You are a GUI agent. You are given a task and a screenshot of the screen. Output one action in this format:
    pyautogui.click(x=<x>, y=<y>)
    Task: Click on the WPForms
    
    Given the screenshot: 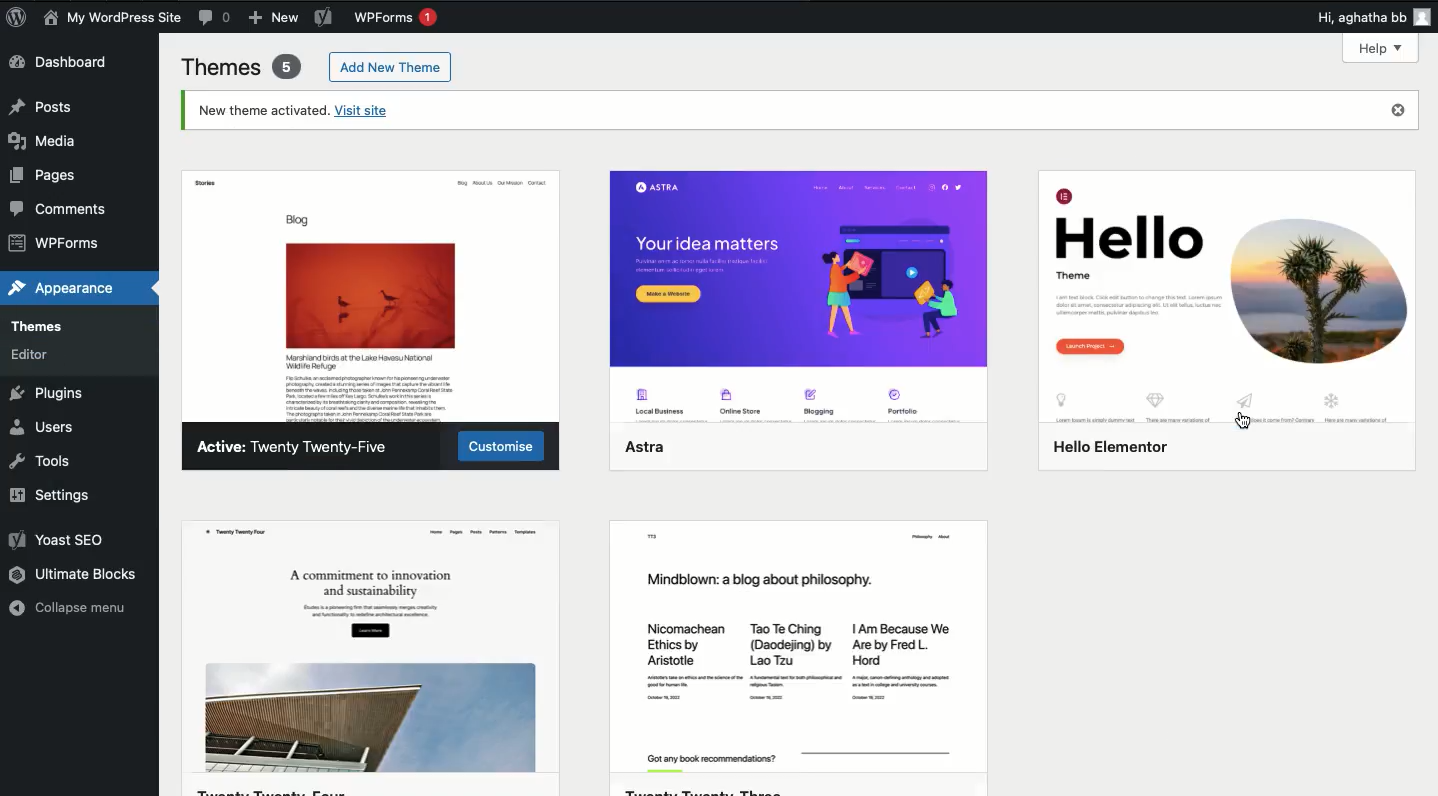 What is the action you would take?
    pyautogui.click(x=394, y=18)
    